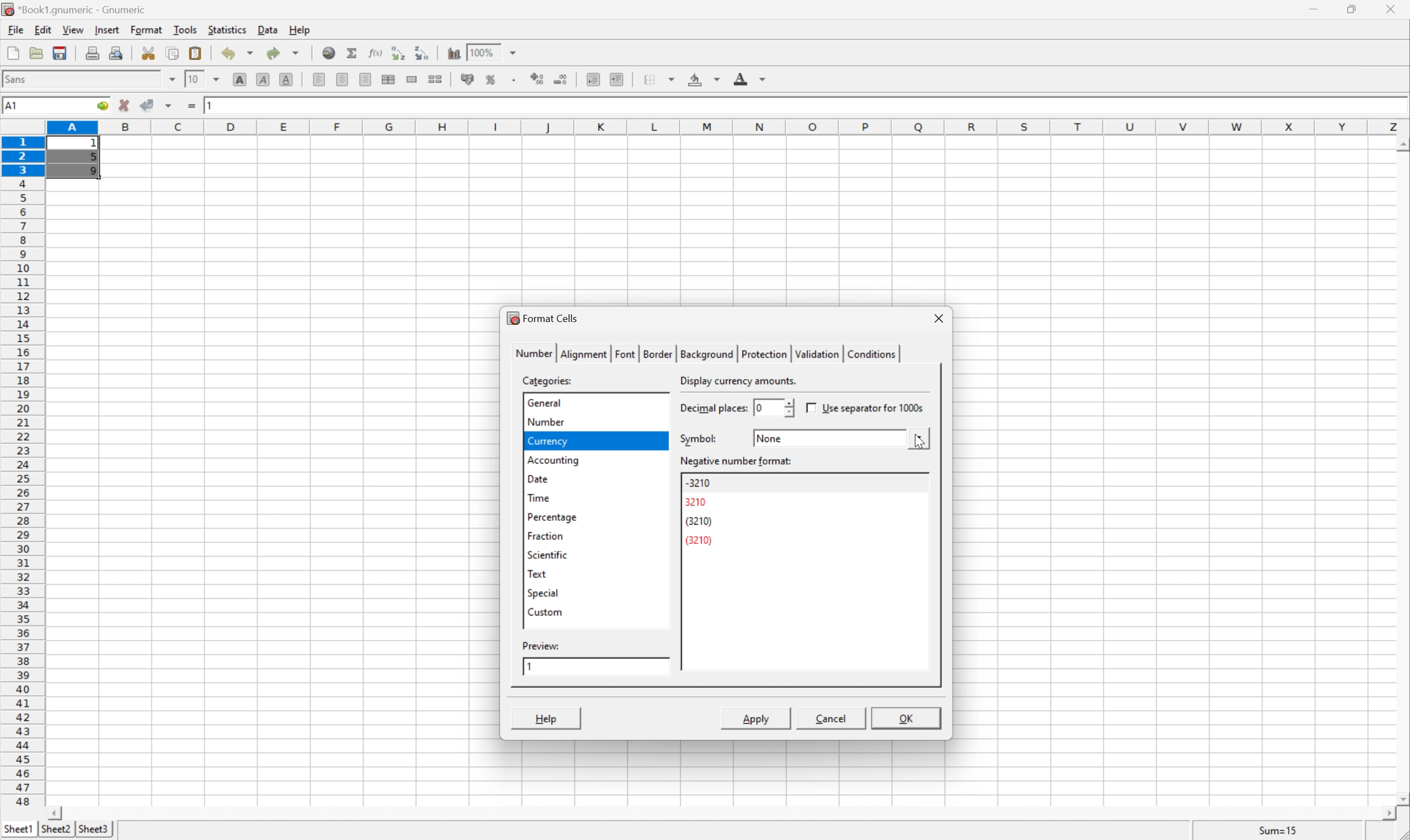 The height and width of the screenshot is (840, 1410). What do you see at coordinates (491, 79) in the screenshot?
I see `format selection as percentage` at bounding box center [491, 79].